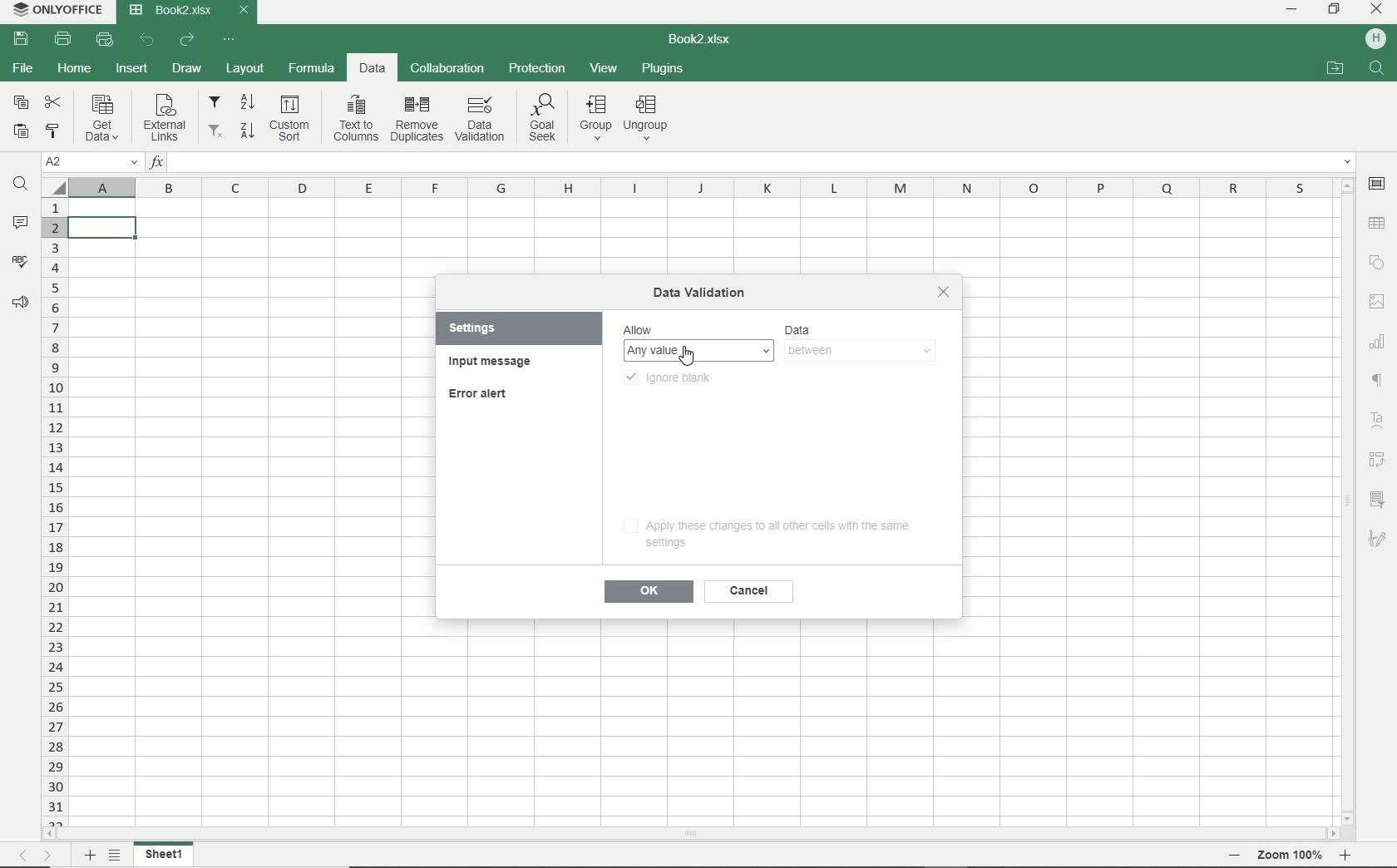 This screenshot has height=868, width=1397. I want to click on sort descending, so click(248, 133).